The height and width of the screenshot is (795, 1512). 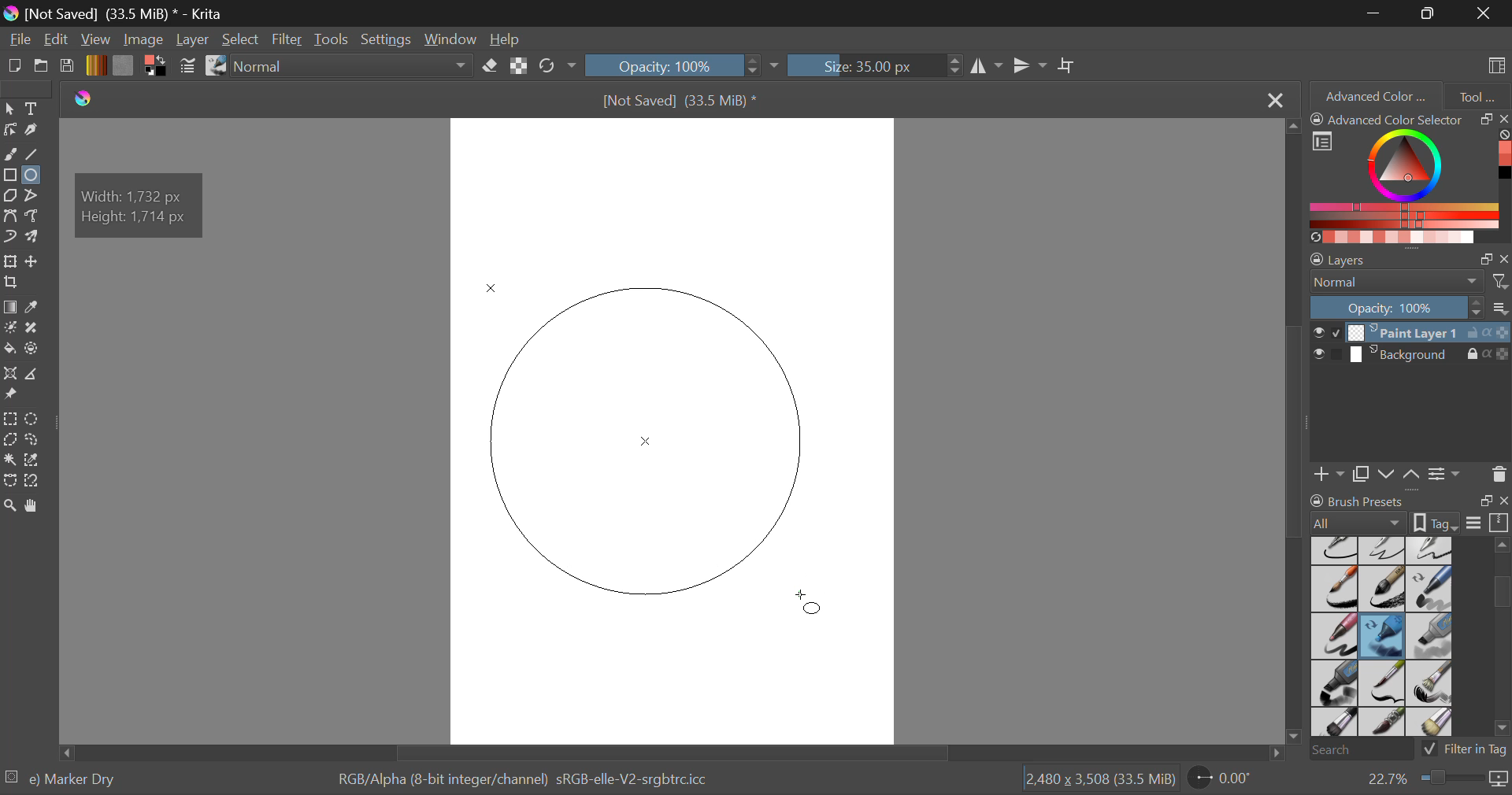 What do you see at coordinates (1494, 64) in the screenshot?
I see `Choose Workspace` at bounding box center [1494, 64].